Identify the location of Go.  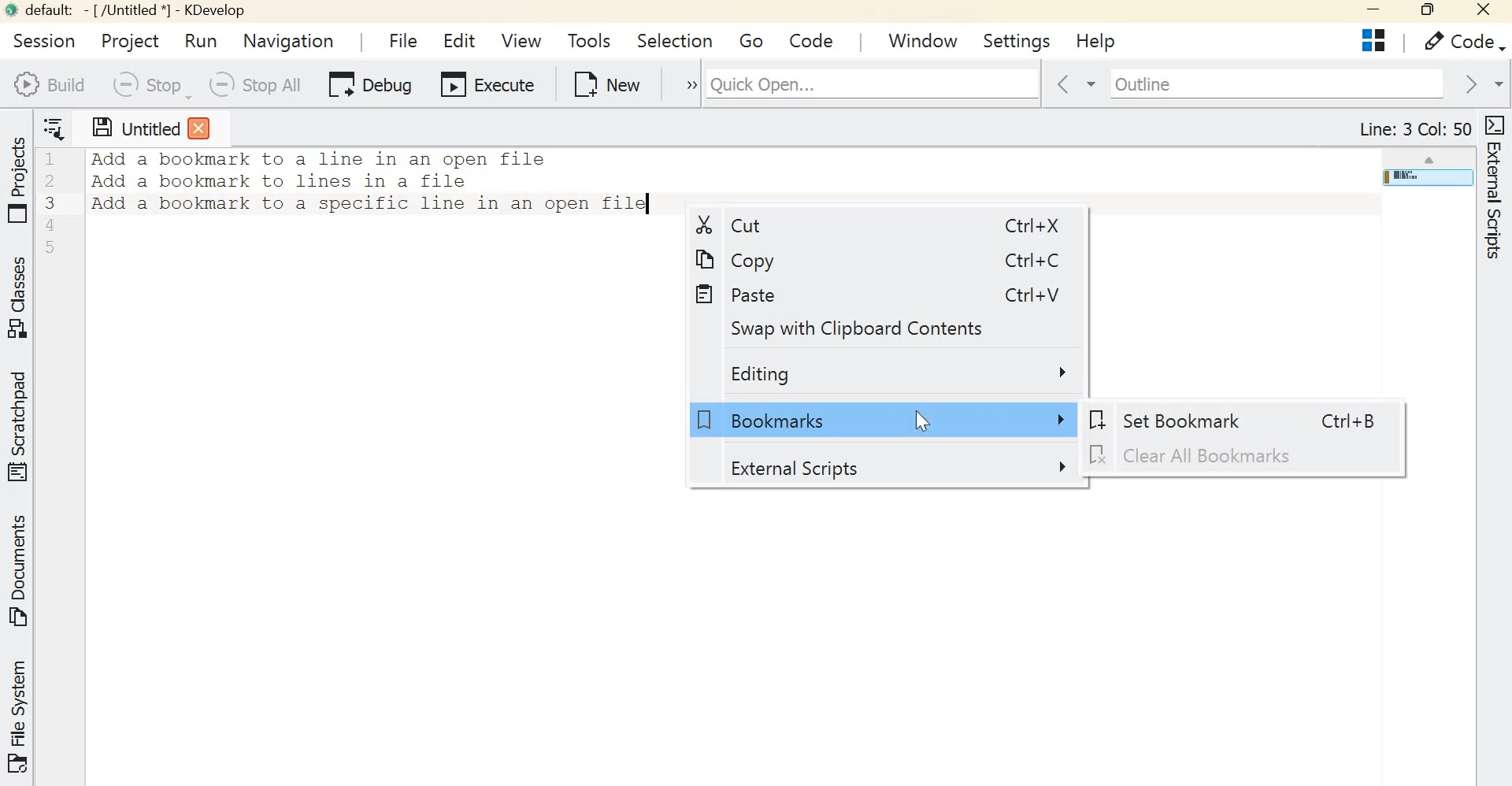
(754, 39).